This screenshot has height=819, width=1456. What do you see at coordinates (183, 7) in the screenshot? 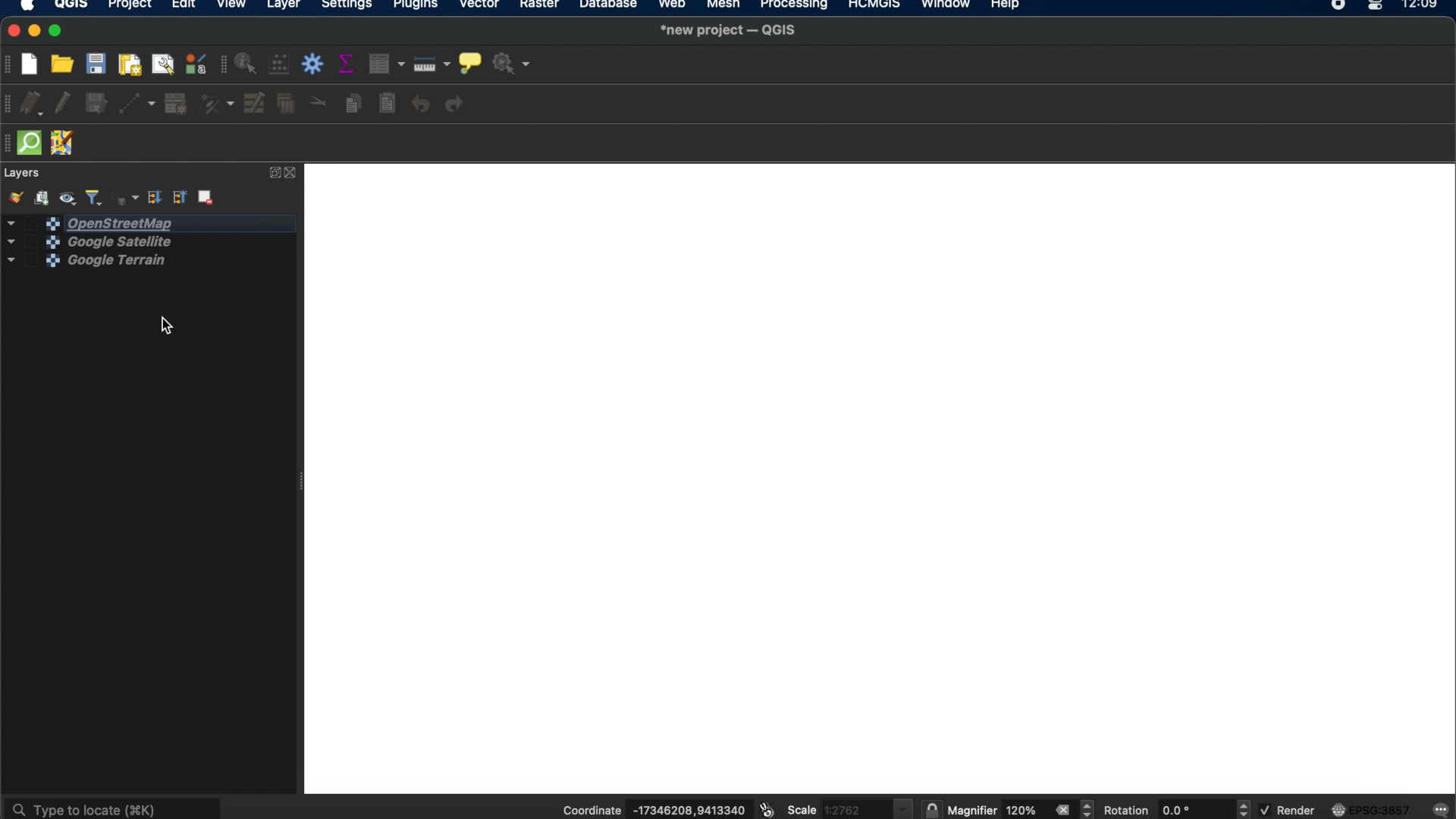
I see `edit` at bounding box center [183, 7].